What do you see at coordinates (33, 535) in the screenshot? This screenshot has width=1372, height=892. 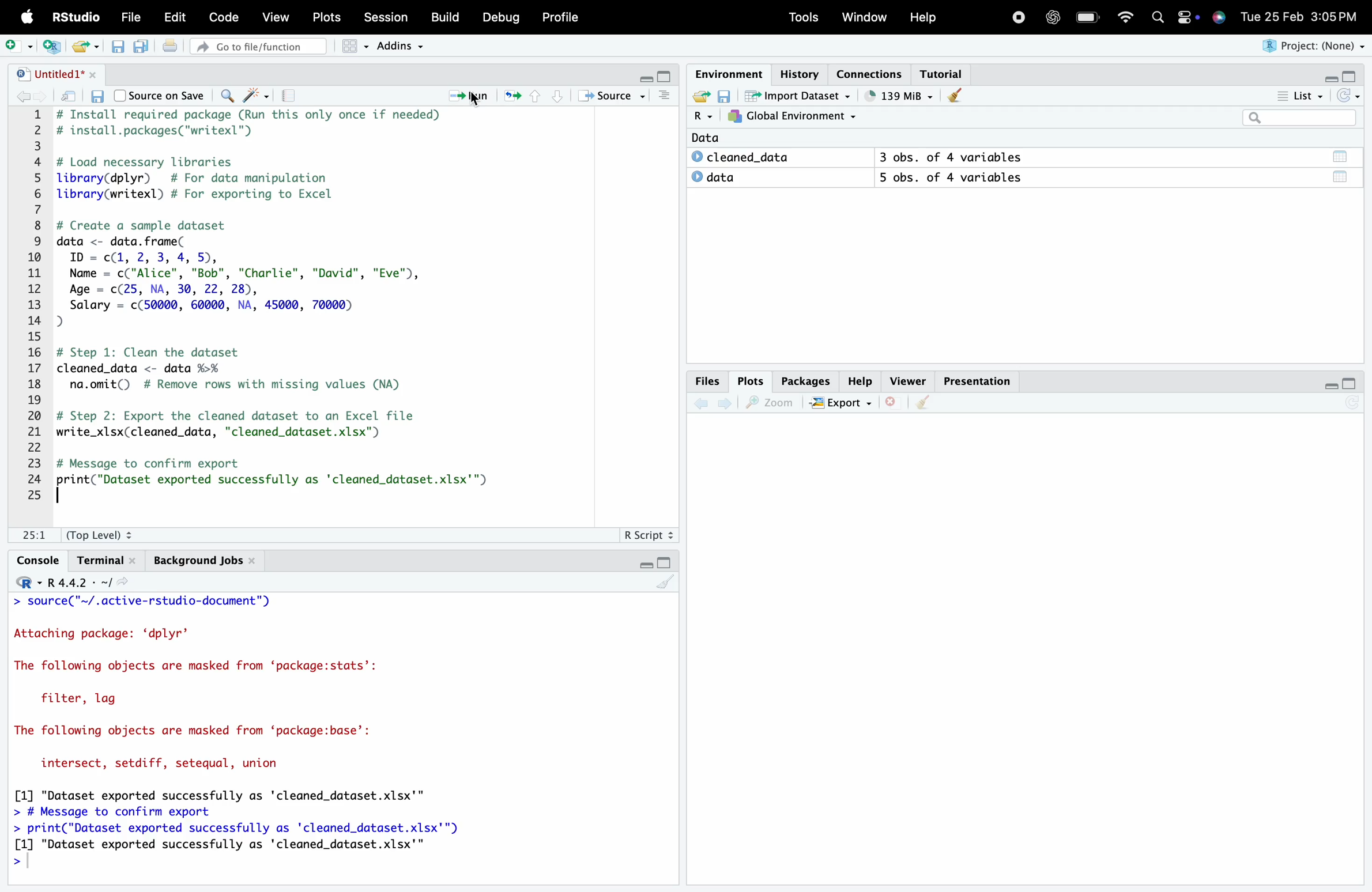 I see `1:1` at bounding box center [33, 535].